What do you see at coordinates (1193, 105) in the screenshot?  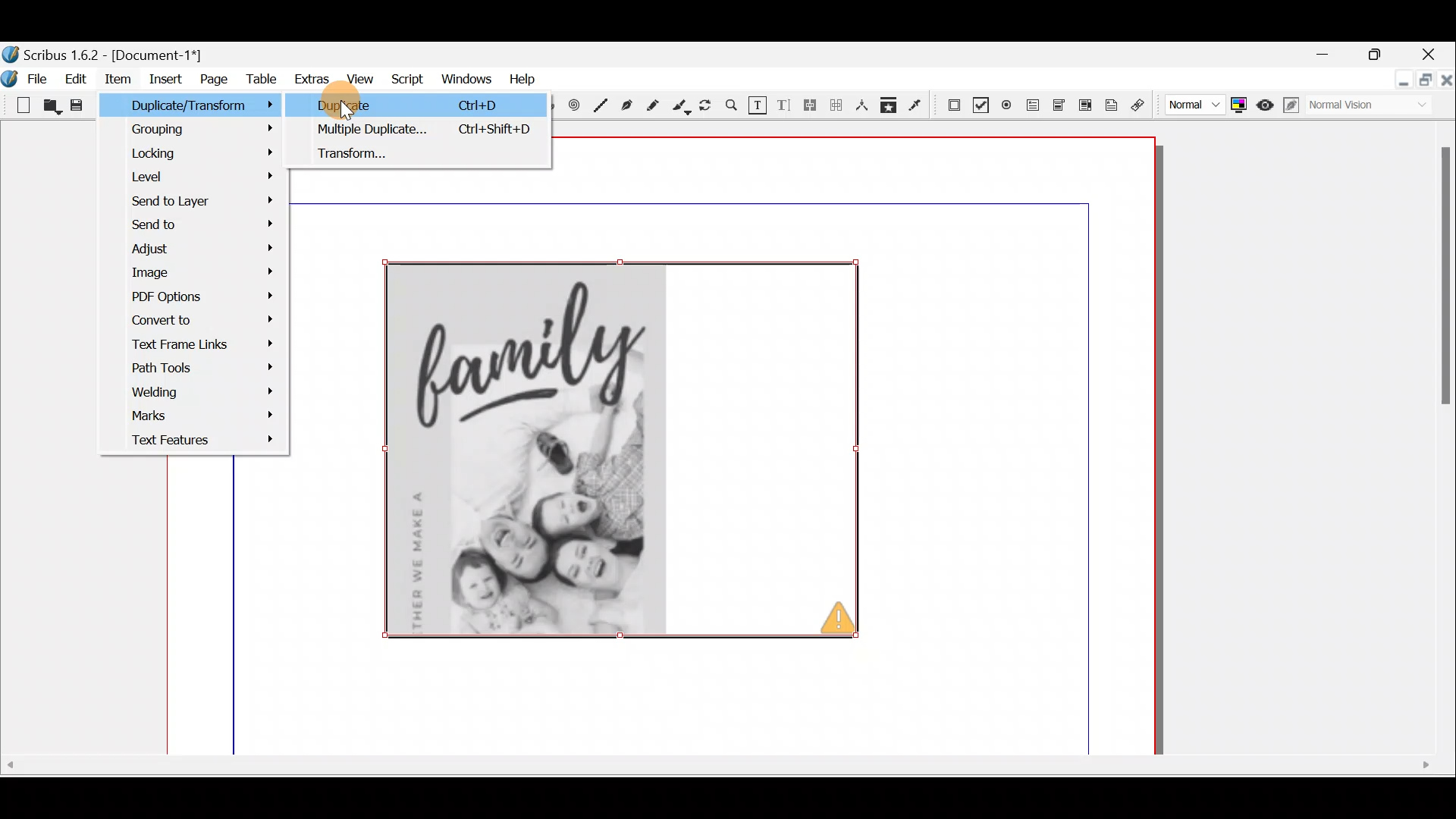 I see `Image preview quality` at bounding box center [1193, 105].